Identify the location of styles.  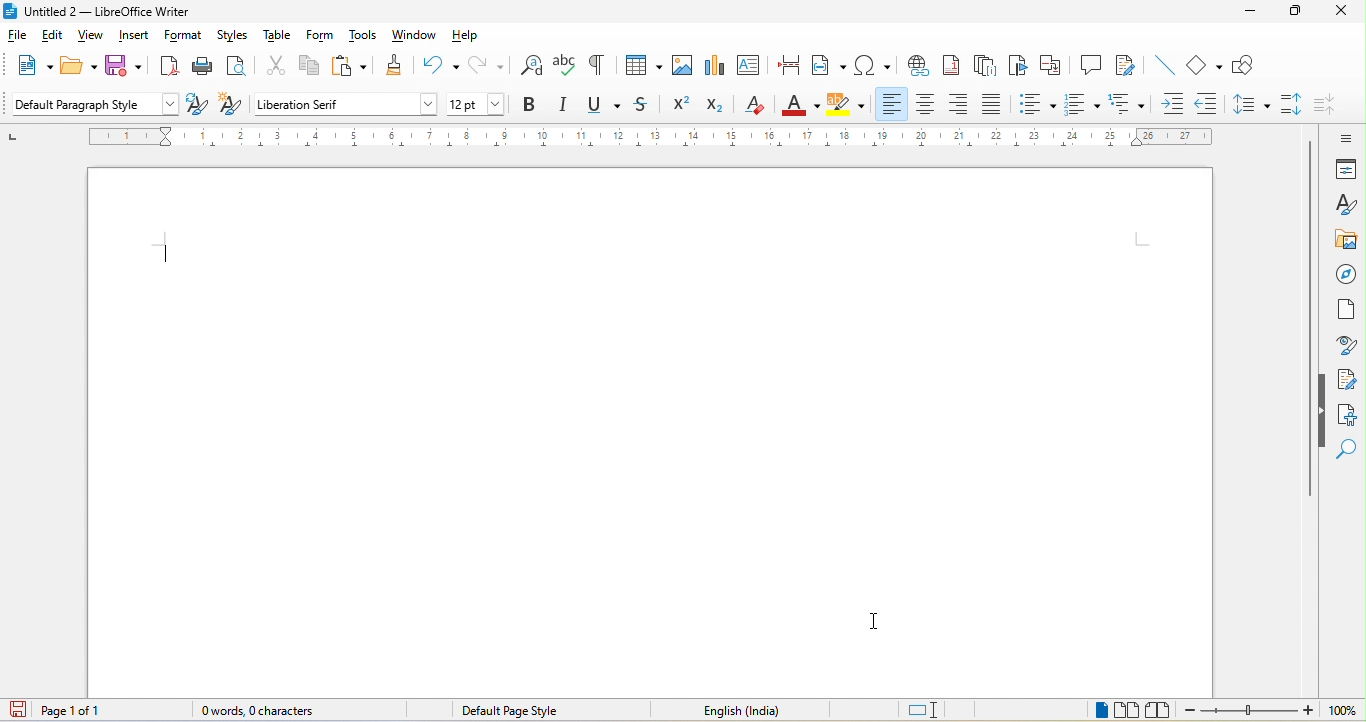
(235, 37).